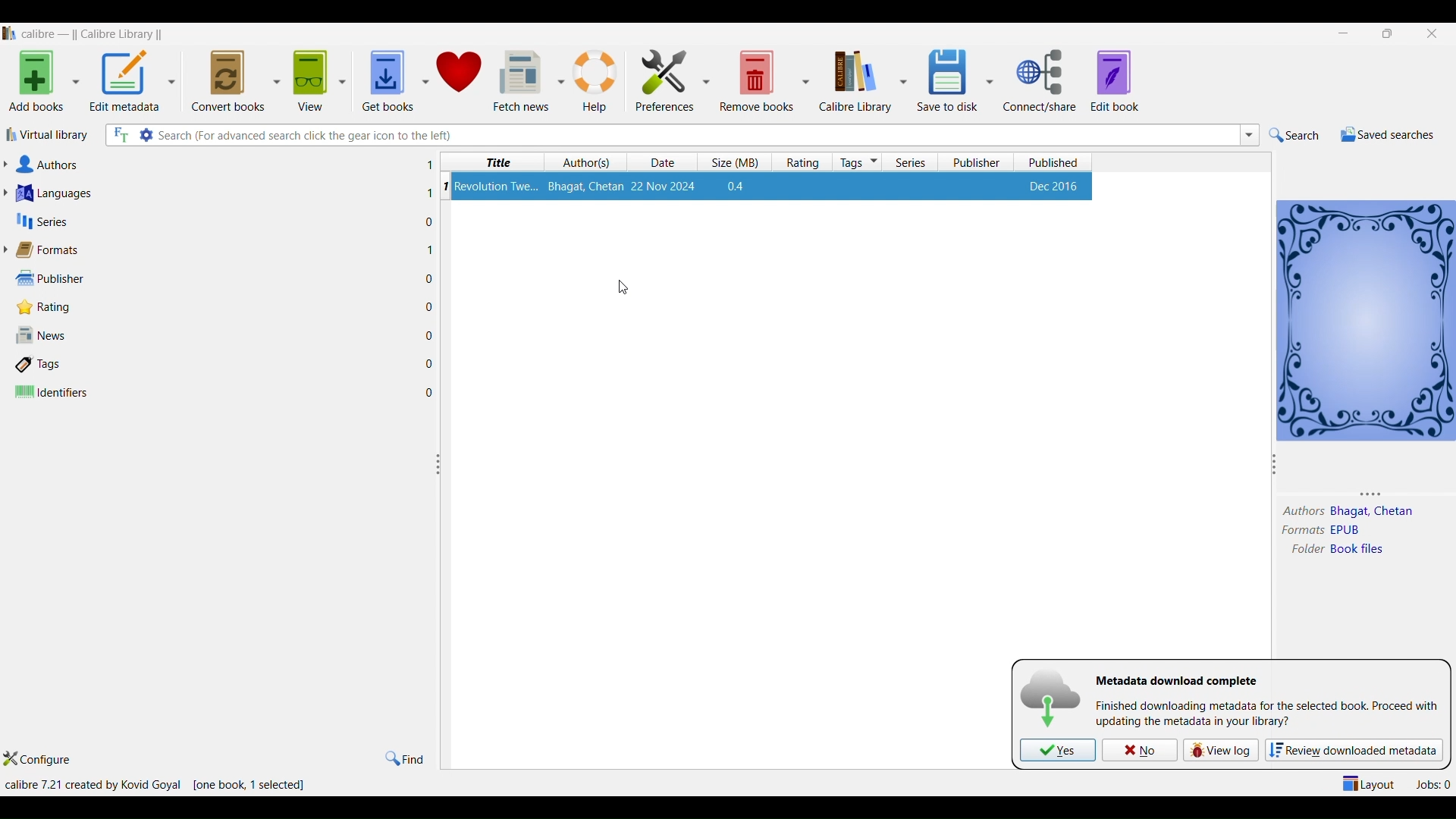  What do you see at coordinates (146, 135) in the screenshot?
I see `search settings ` at bounding box center [146, 135].